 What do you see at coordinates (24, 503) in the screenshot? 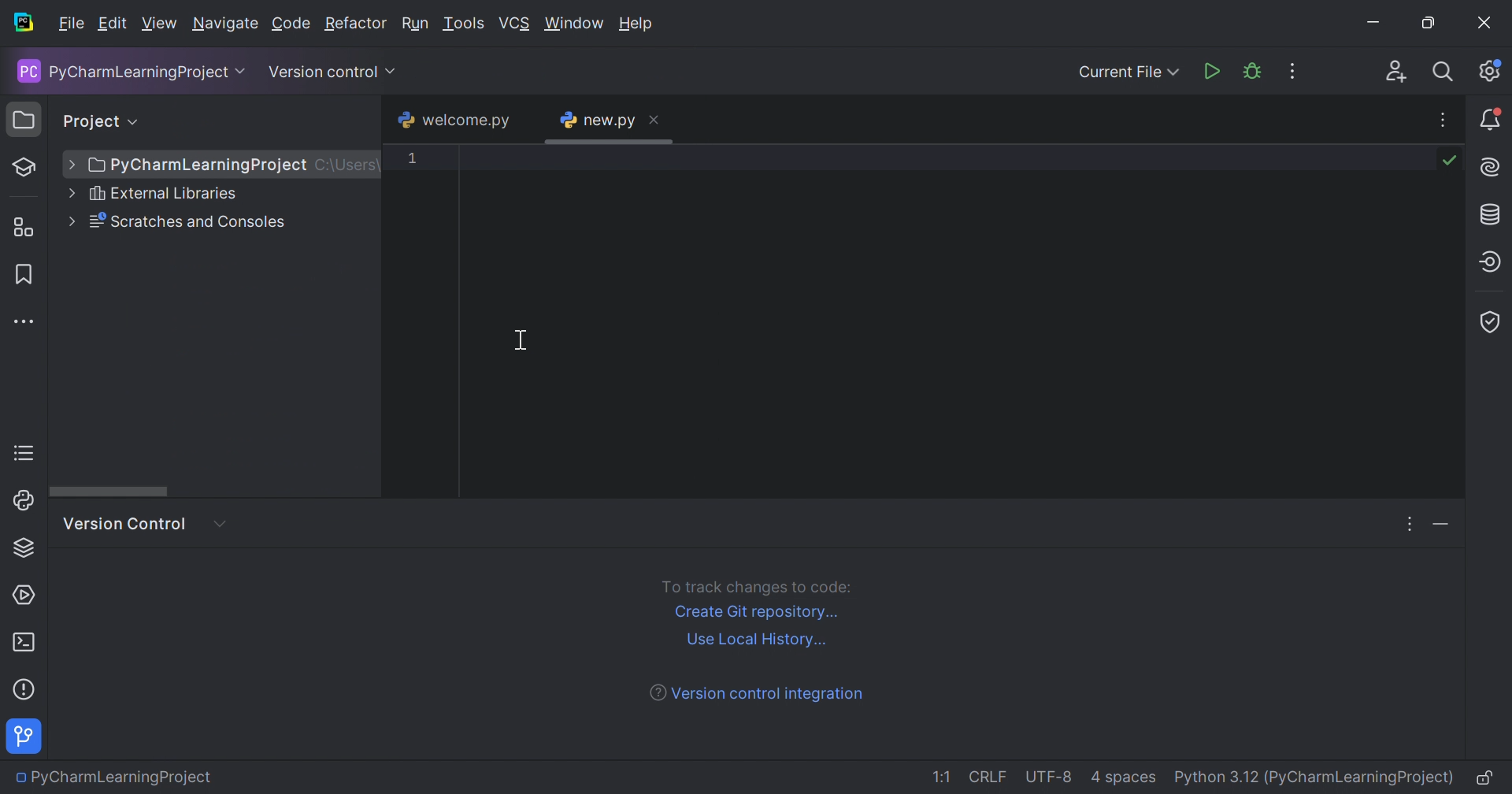
I see `Python Console` at bounding box center [24, 503].